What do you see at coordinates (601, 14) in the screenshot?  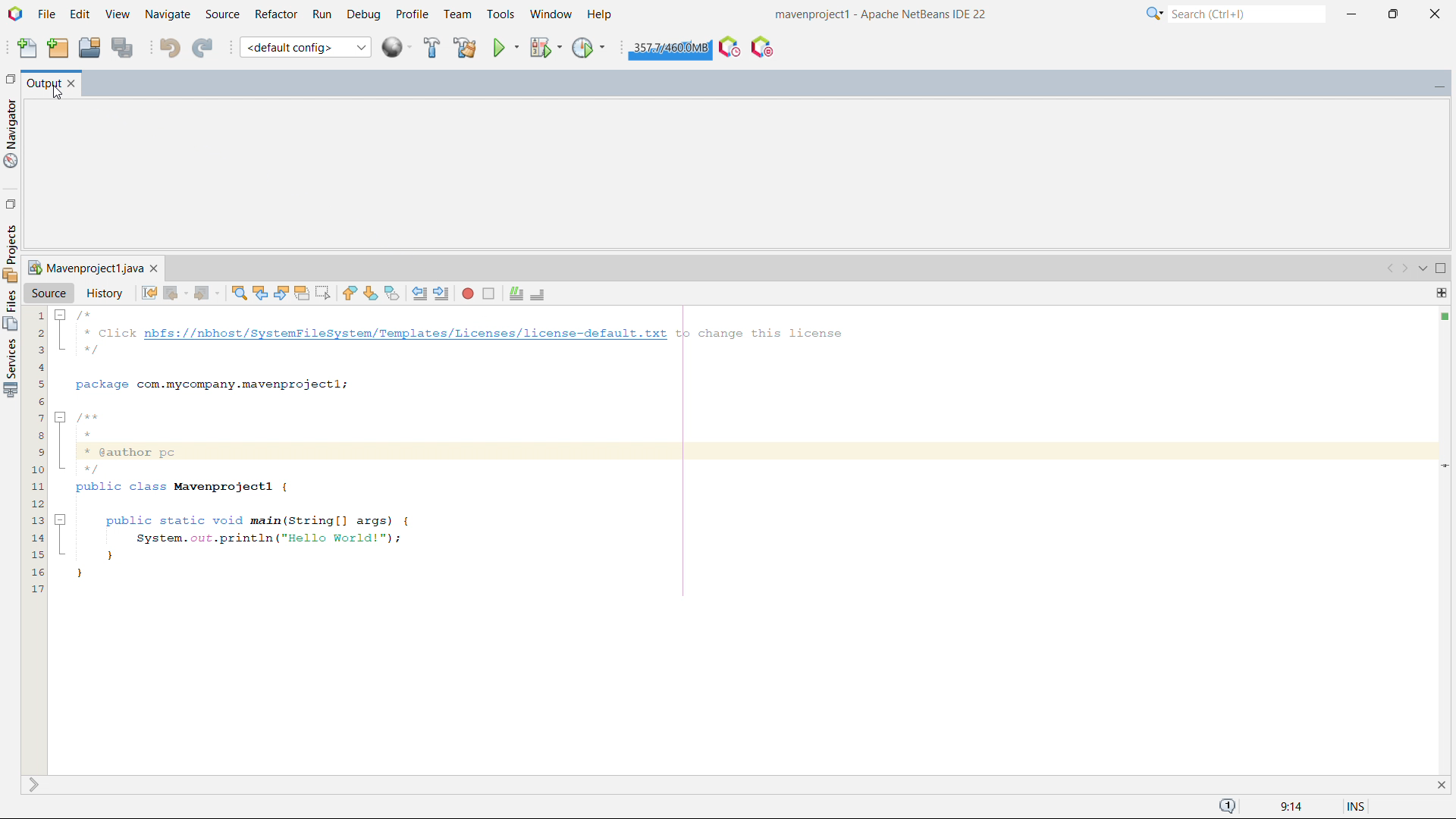 I see `h` at bounding box center [601, 14].